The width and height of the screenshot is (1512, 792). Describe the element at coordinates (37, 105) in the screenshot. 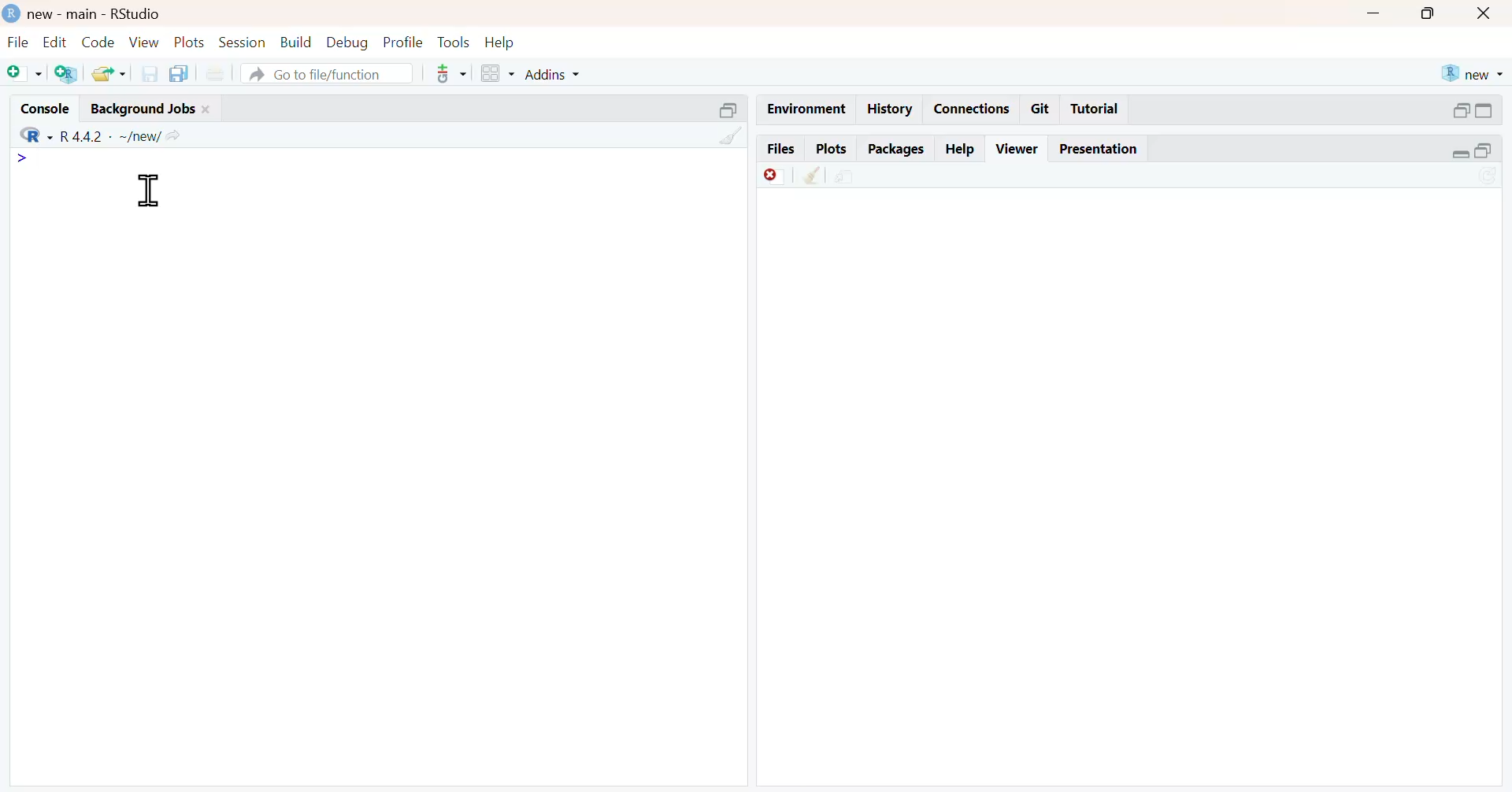

I see `console` at that location.